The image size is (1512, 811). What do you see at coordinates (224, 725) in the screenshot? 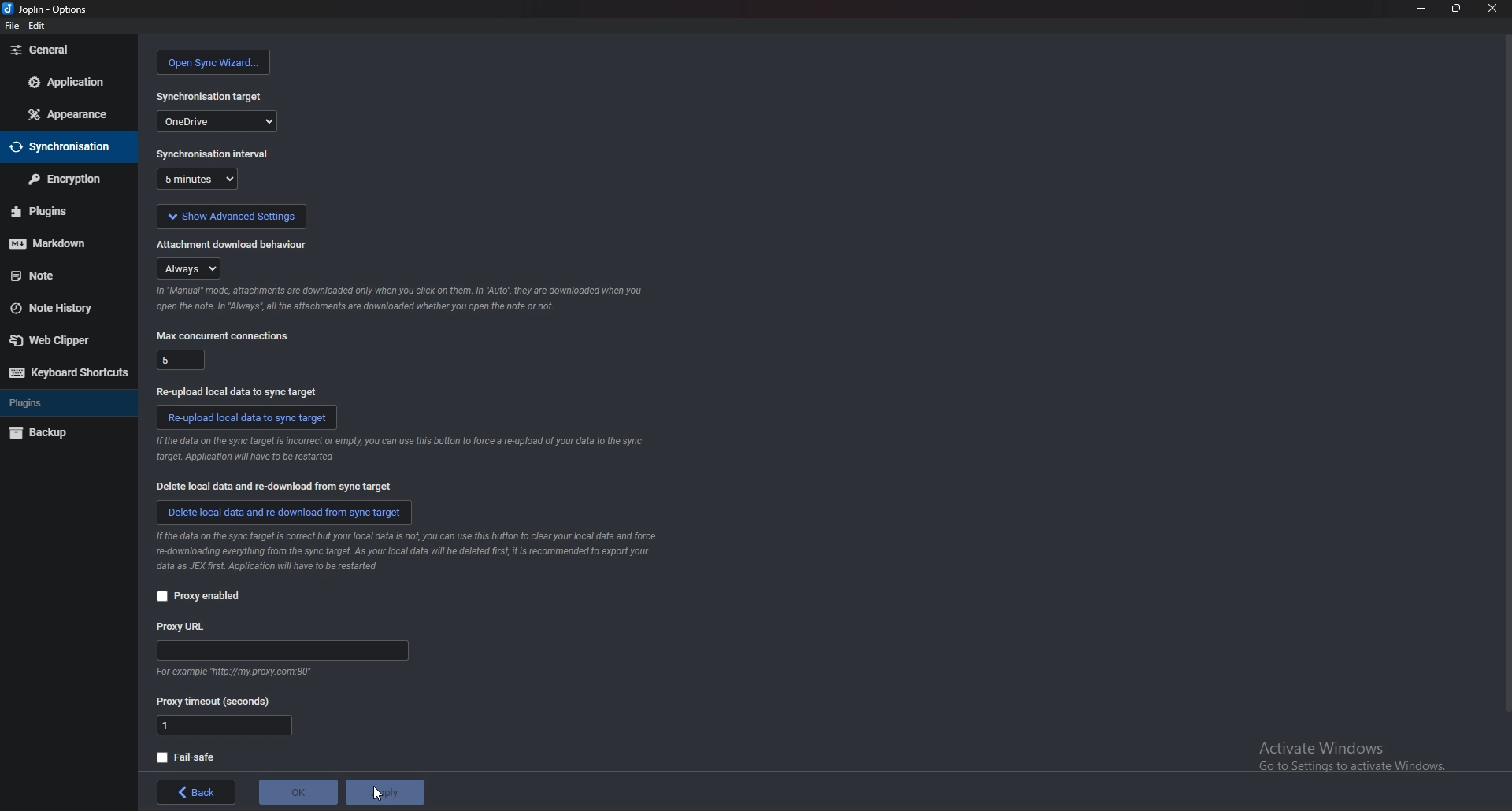
I see `proxy timeout` at bounding box center [224, 725].